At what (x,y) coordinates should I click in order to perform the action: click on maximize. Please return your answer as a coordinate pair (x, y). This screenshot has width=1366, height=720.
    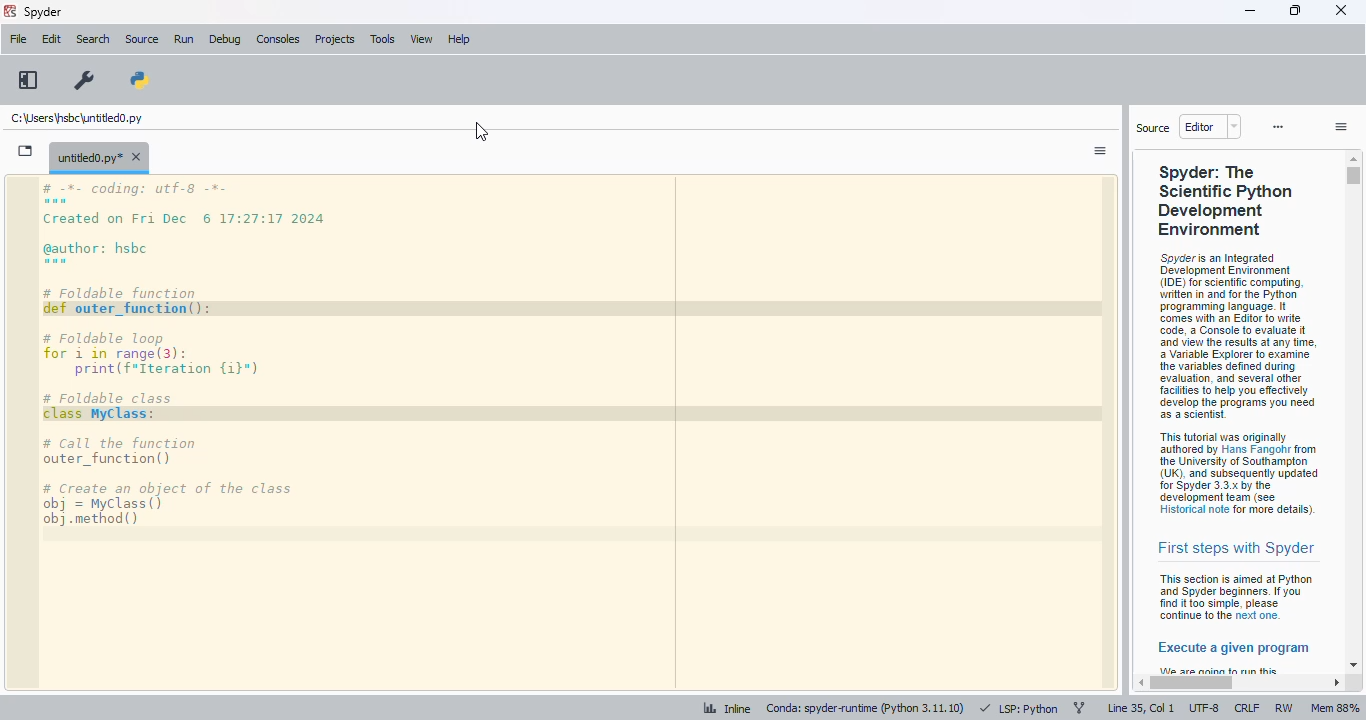
    Looking at the image, I should click on (1296, 10).